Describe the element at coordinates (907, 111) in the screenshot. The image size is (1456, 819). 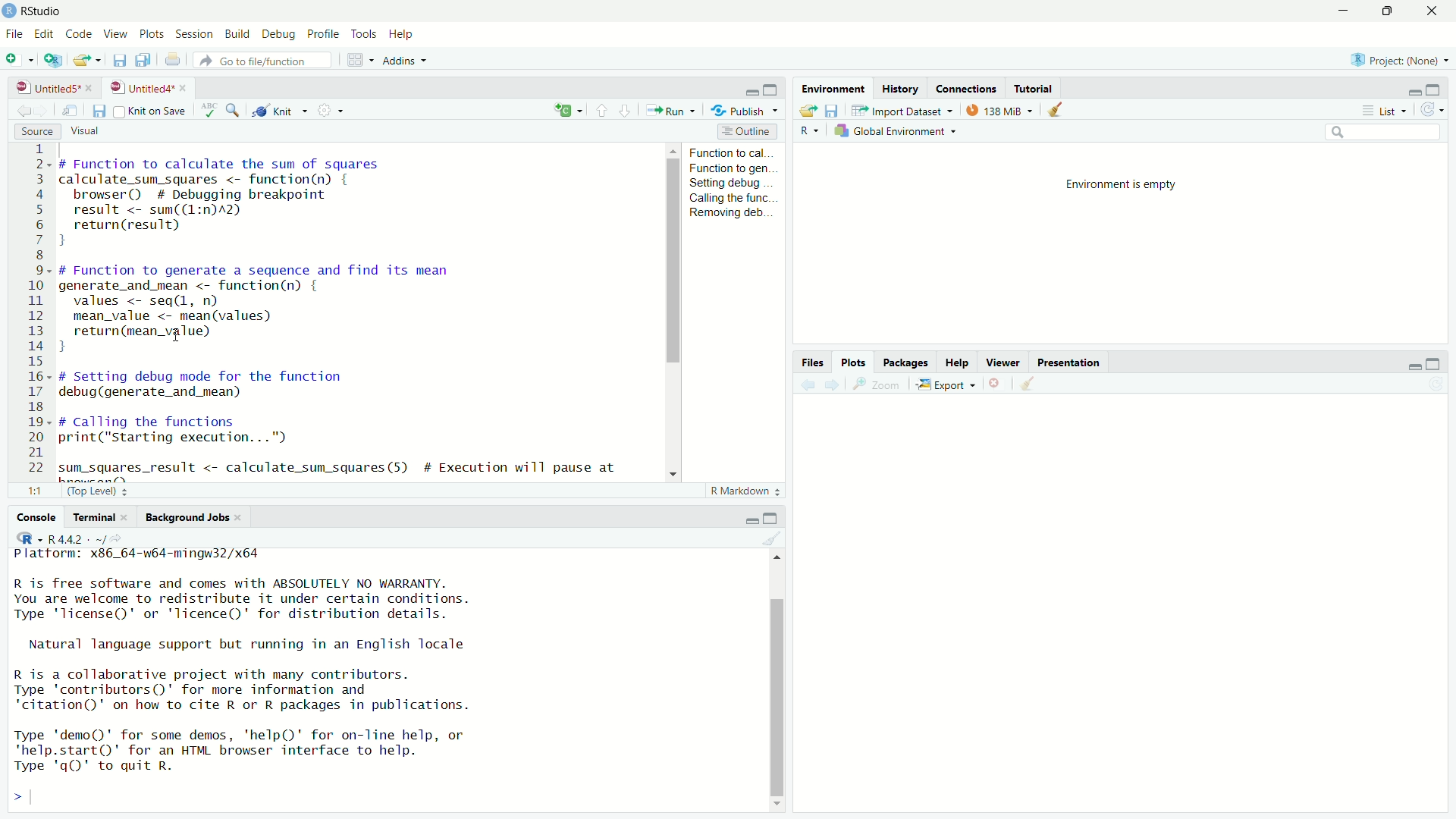
I see `import dataset` at that location.